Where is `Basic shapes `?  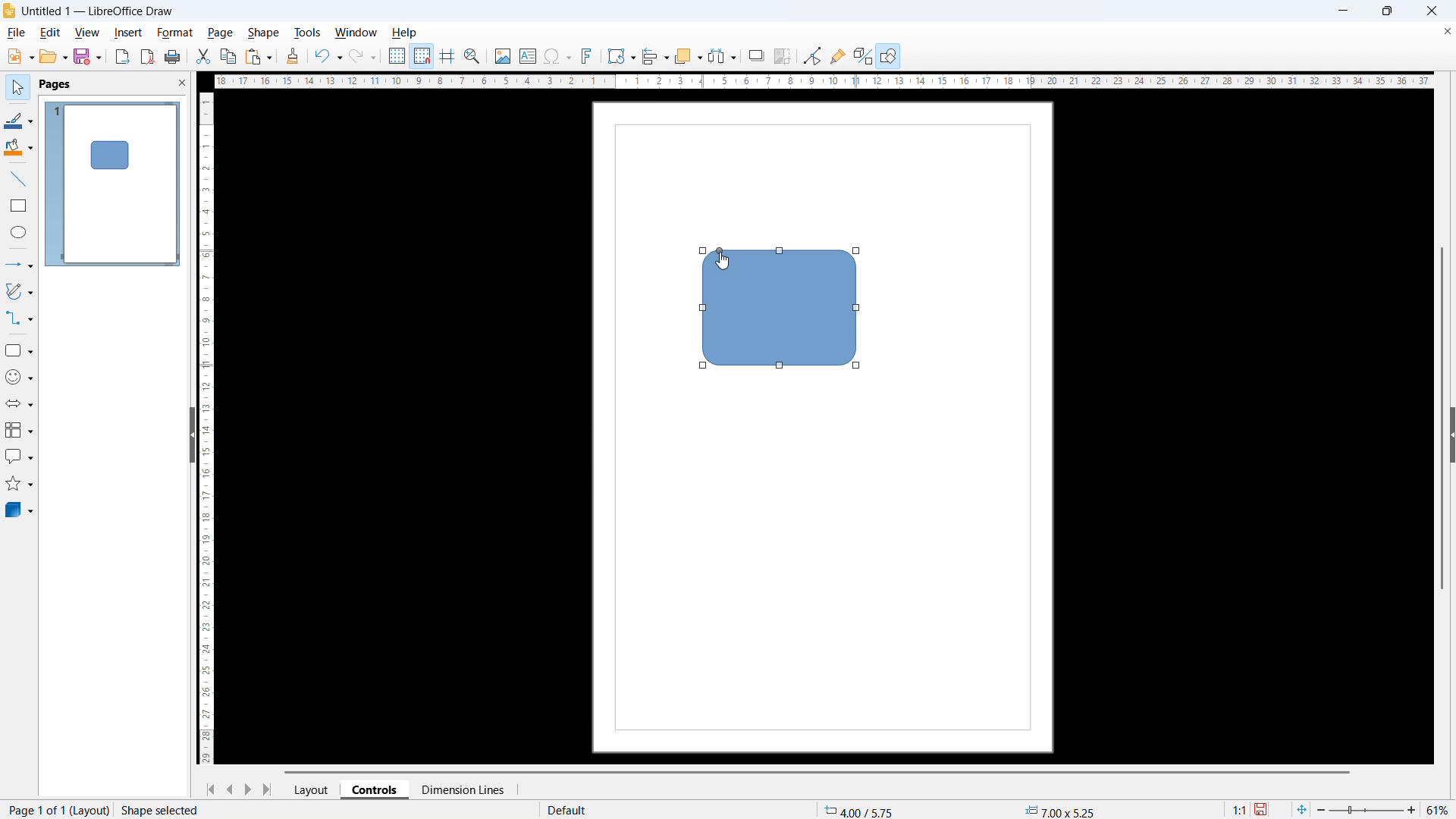 Basic shapes  is located at coordinates (18, 350).